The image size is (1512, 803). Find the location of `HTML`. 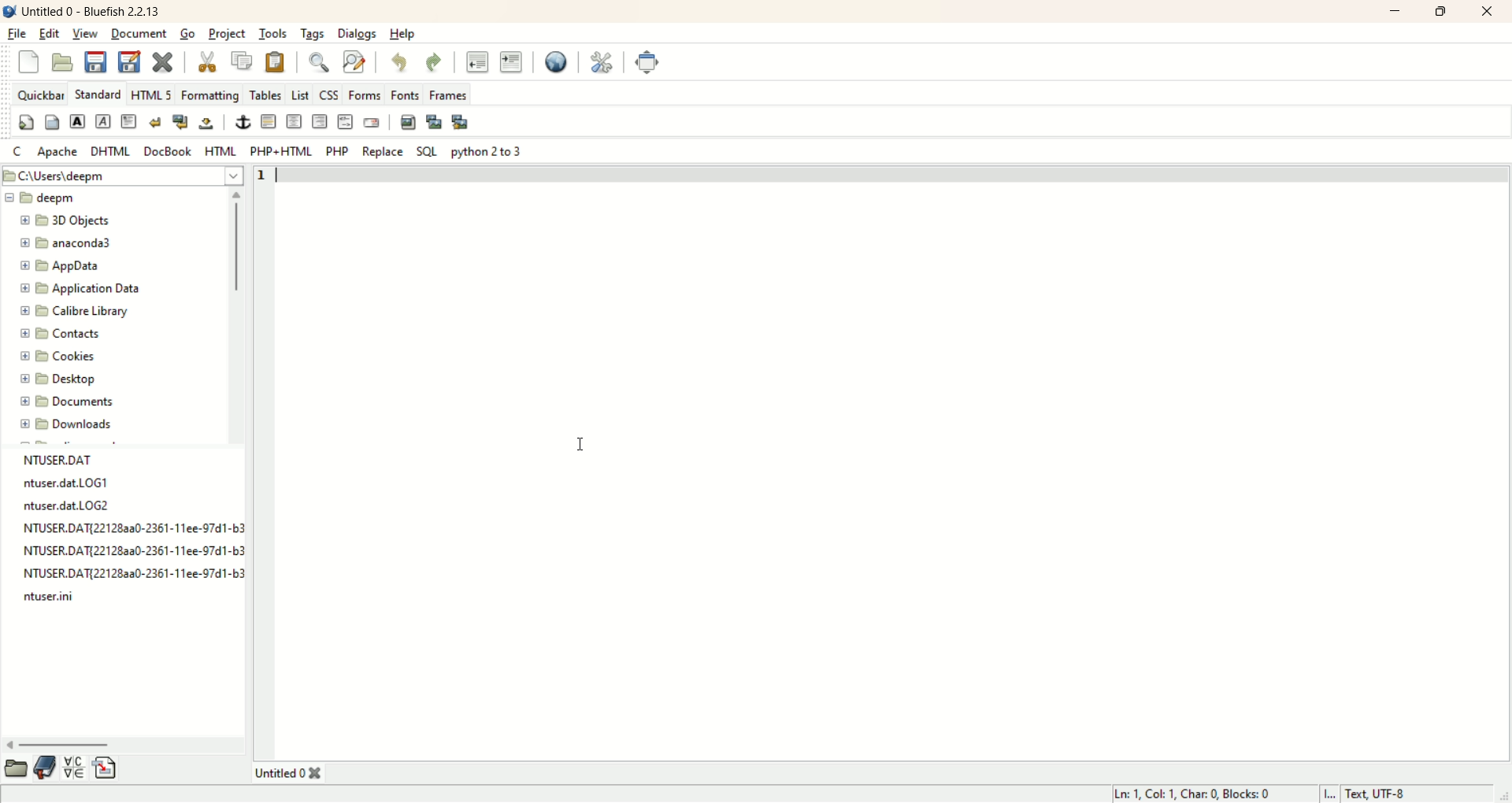

HTML is located at coordinates (220, 152).